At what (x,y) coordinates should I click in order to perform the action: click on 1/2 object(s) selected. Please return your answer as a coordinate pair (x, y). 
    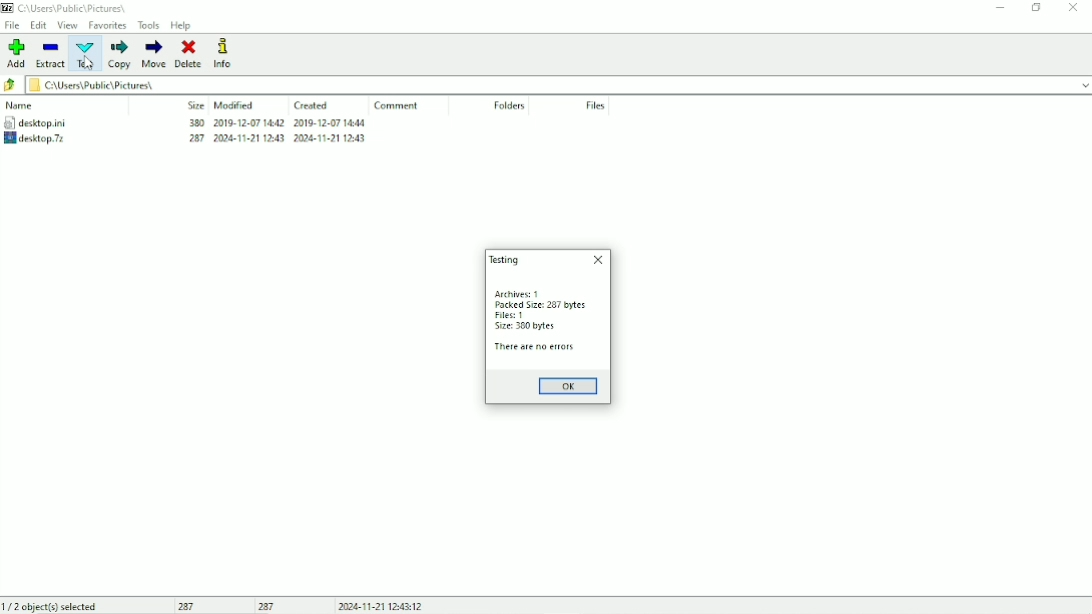
    Looking at the image, I should click on (53, 606).